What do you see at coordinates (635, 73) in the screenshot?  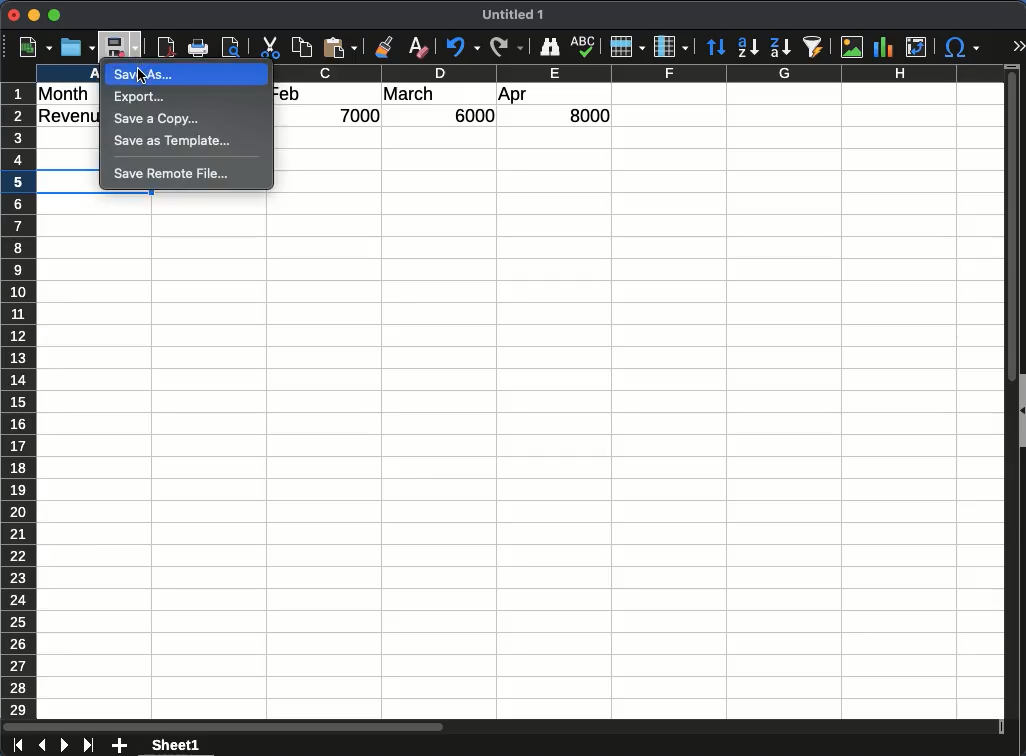 I see `column` at bounding box center [635, 73].